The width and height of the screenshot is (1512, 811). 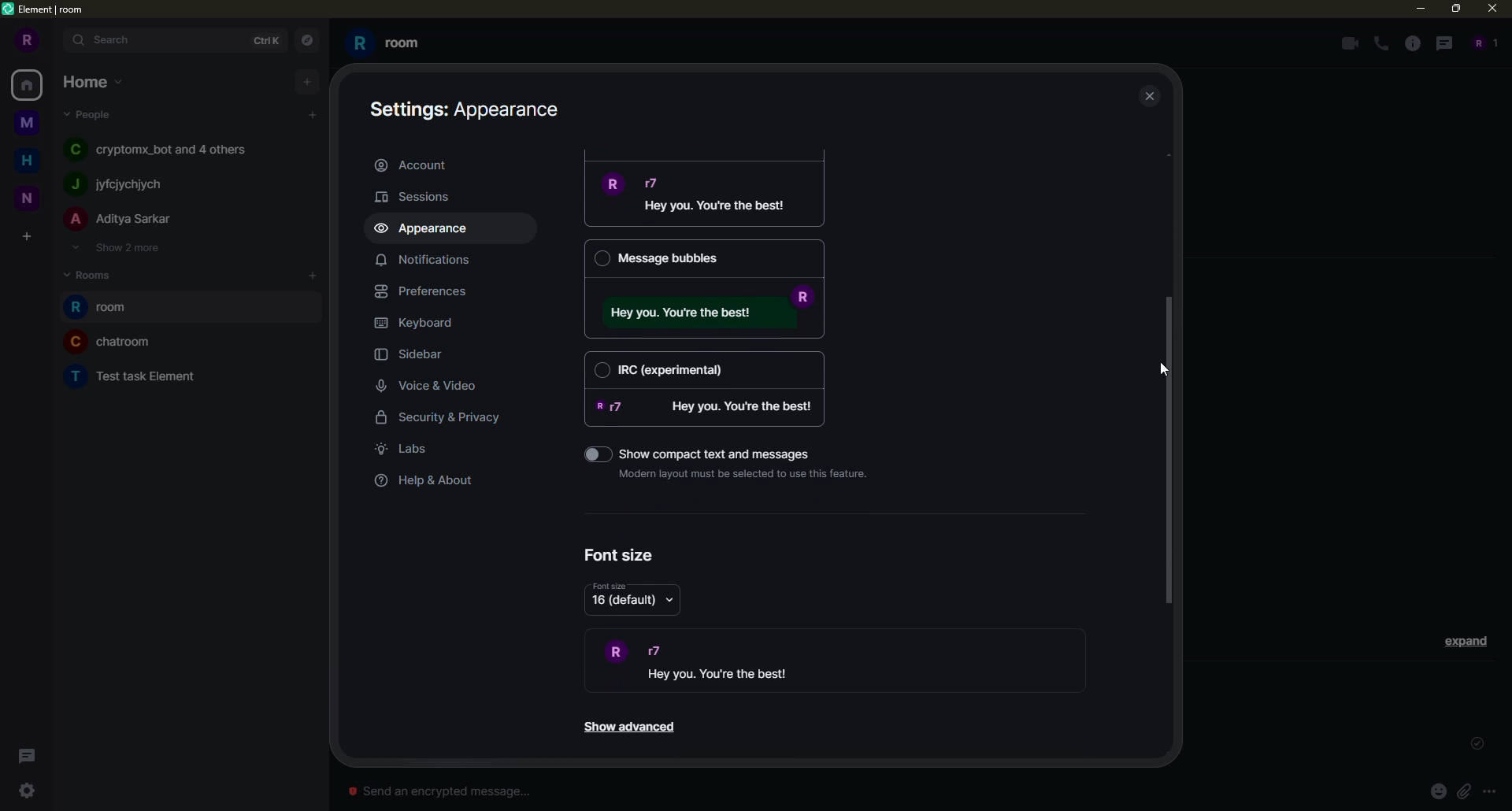 What do you see at coordinates (163, 148) in the screenshot?
I see `people` at bounding box center [163, 148].